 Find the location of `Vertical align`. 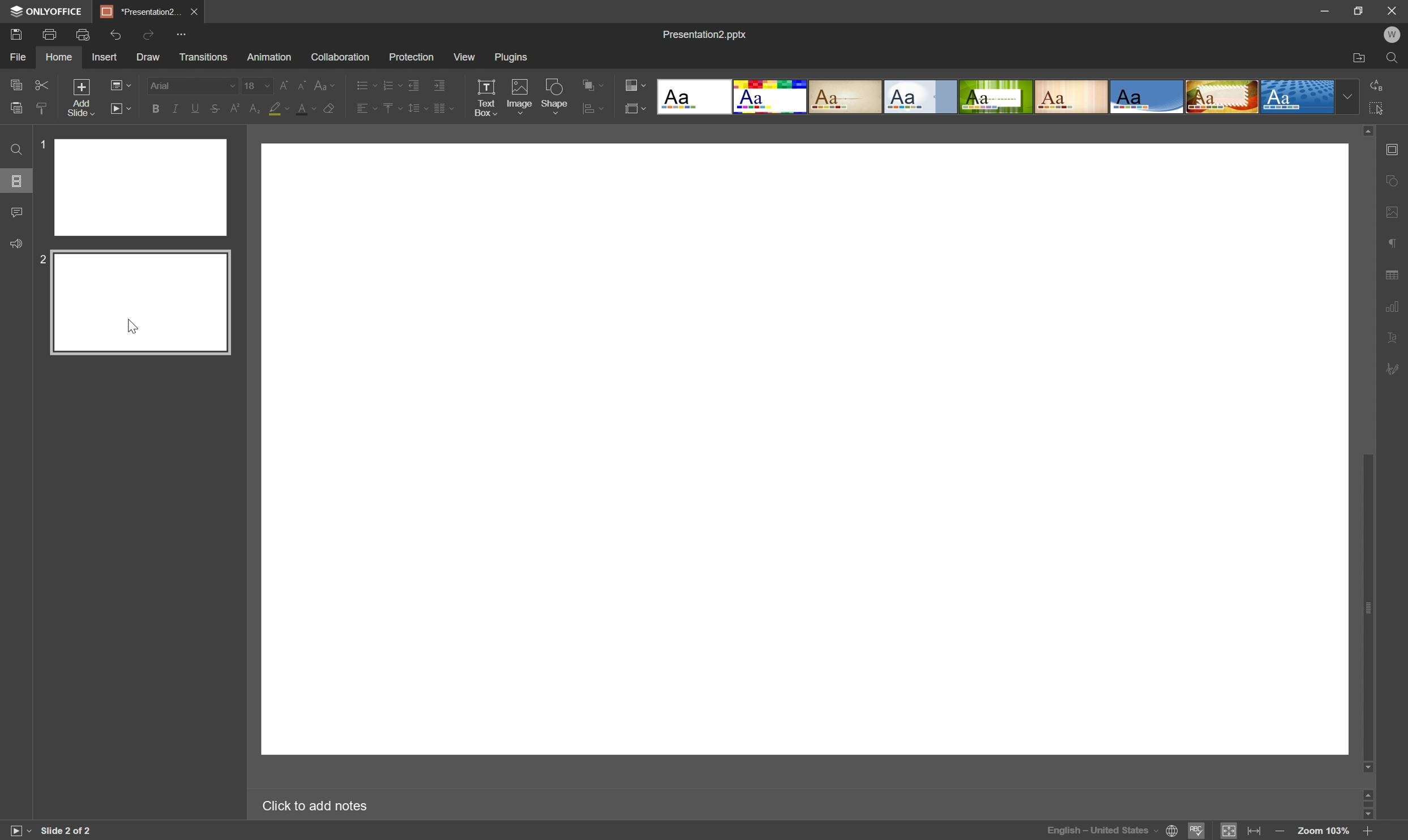

Vertical align is located at coordinates (389, 109).